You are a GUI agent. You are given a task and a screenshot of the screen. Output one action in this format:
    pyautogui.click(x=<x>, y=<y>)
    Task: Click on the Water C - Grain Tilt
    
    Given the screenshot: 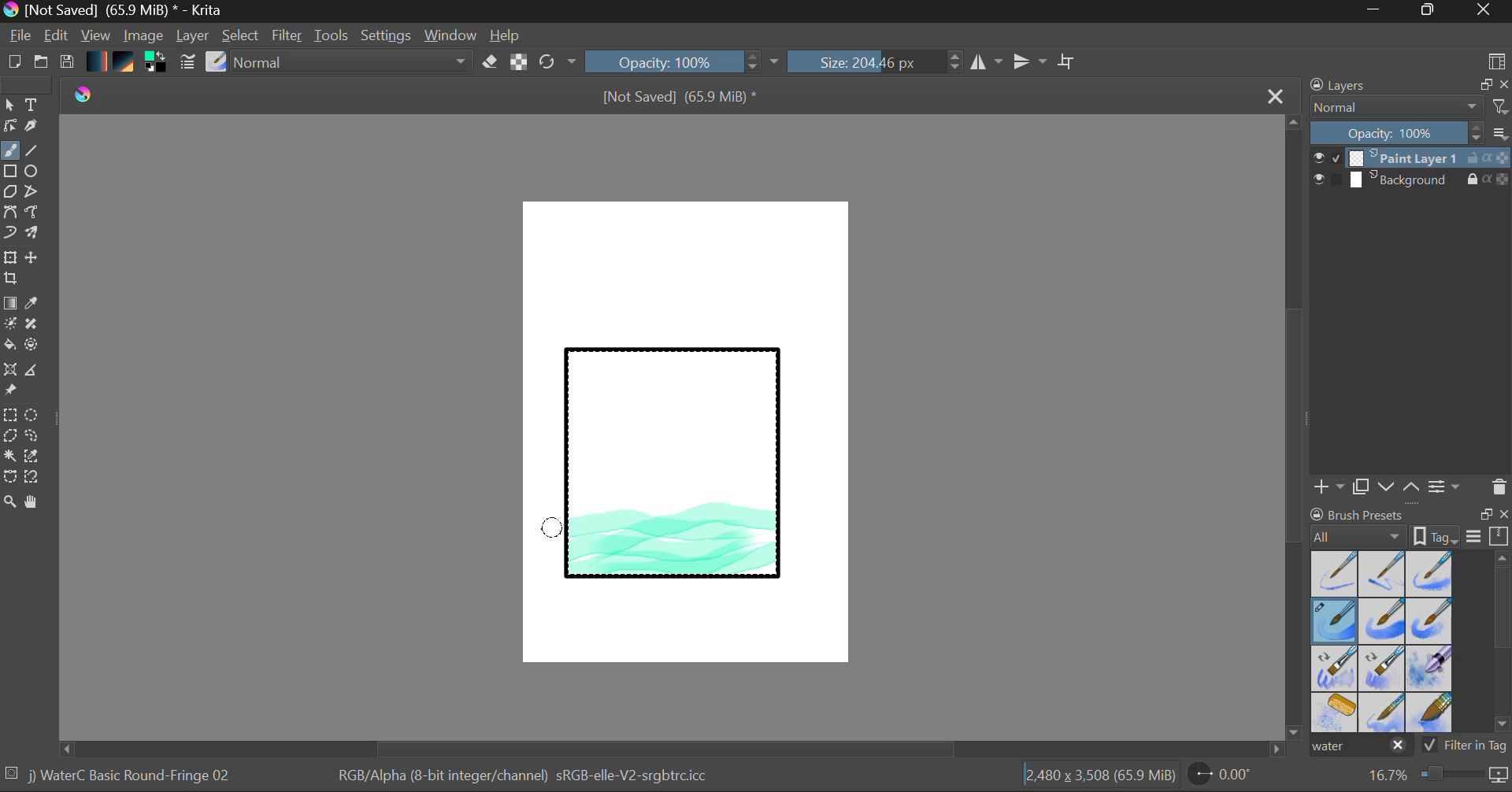 What is the action you would take?
    pyautogui.click(x=1336, y=668)
    